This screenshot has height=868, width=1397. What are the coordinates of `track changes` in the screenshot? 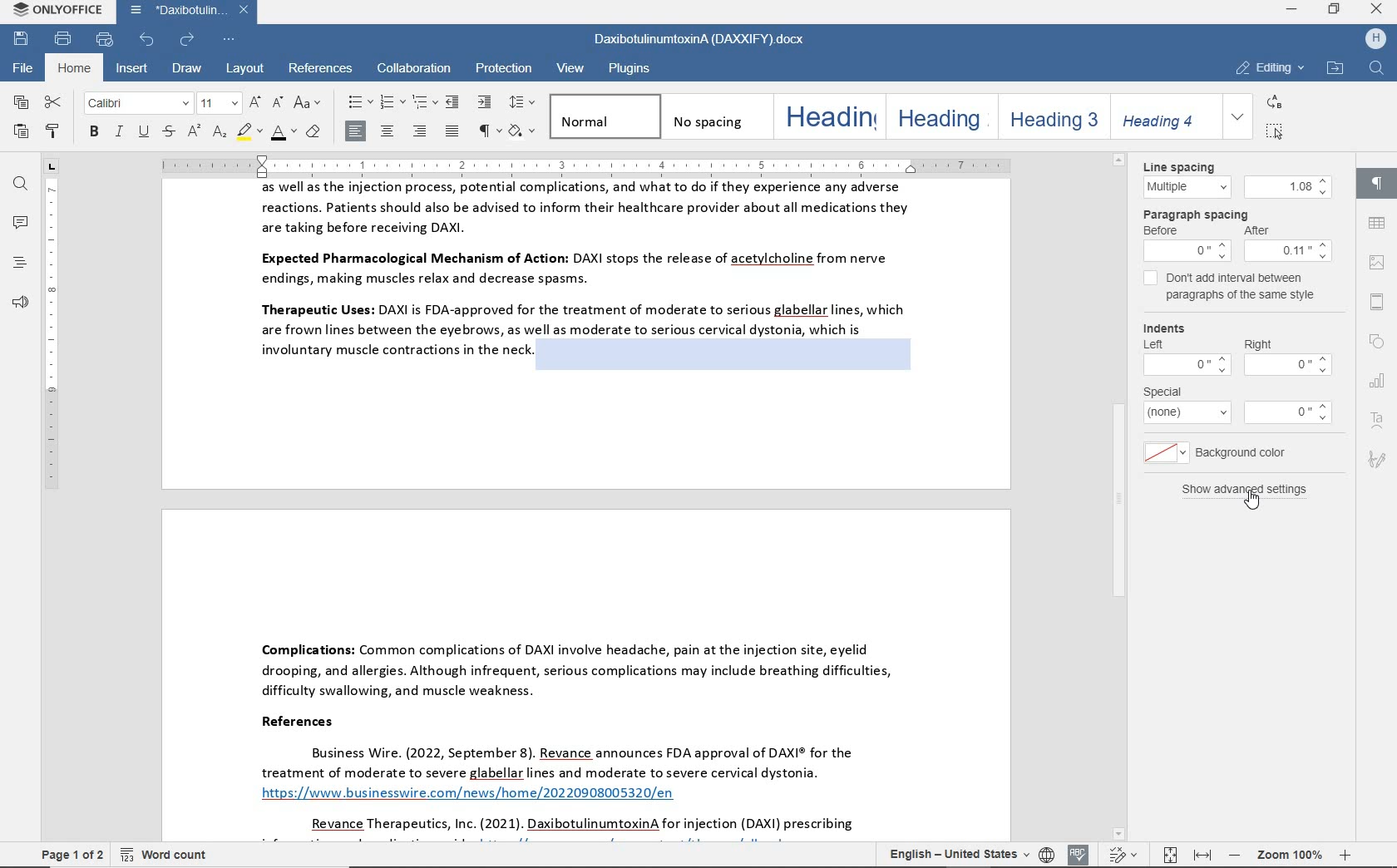 It's located at (1126, 854).